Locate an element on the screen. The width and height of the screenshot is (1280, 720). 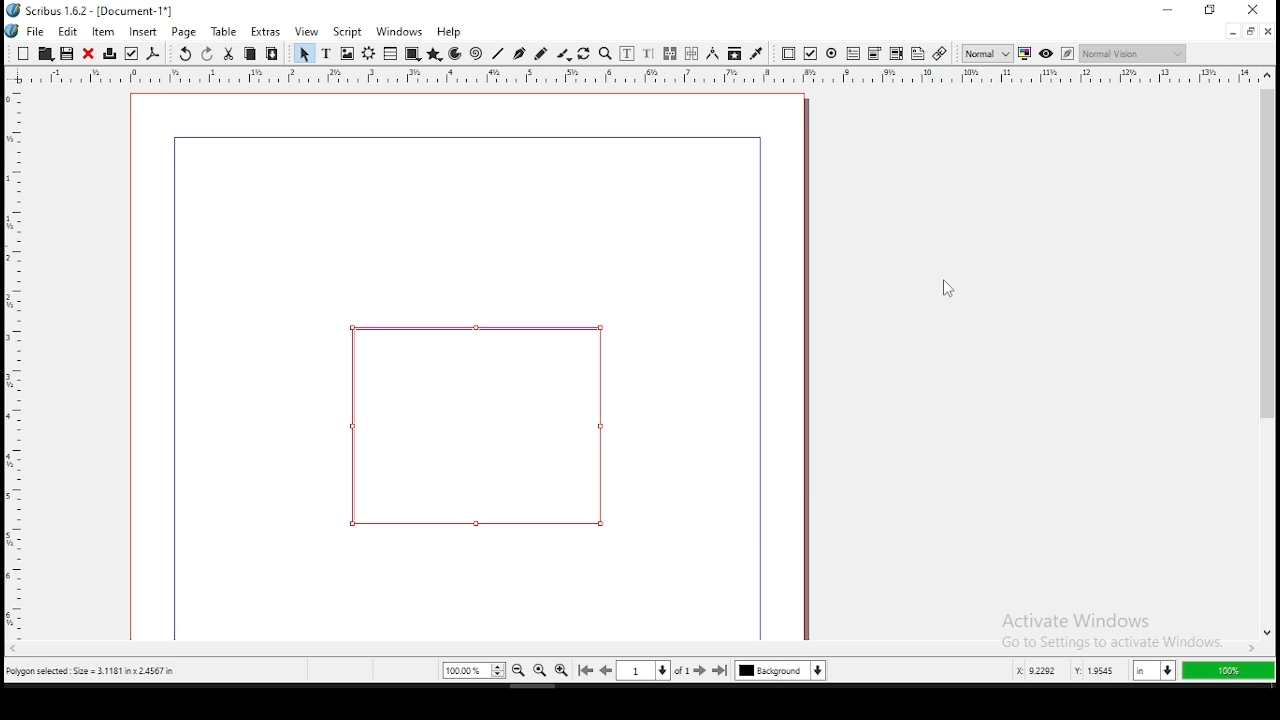
y: 2.9584 is located at coordinates (1094, 671).